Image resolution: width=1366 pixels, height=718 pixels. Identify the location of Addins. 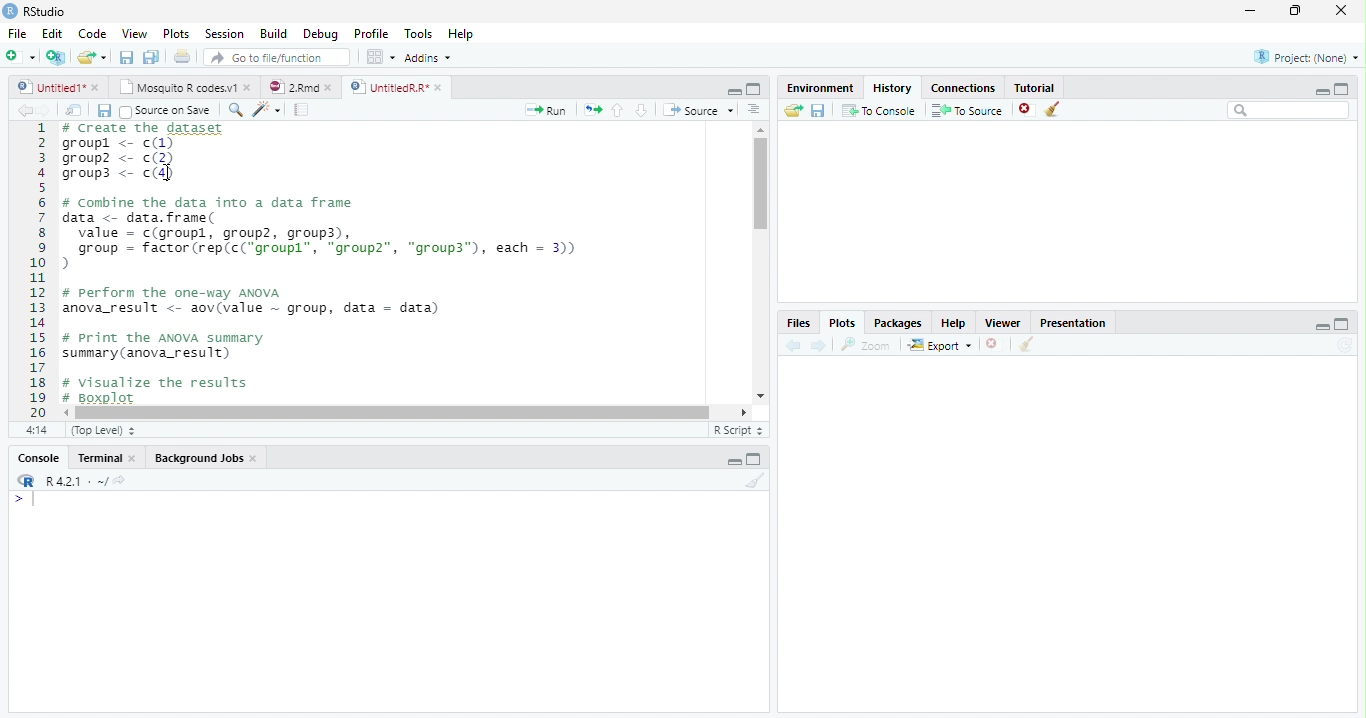
(429, 59).